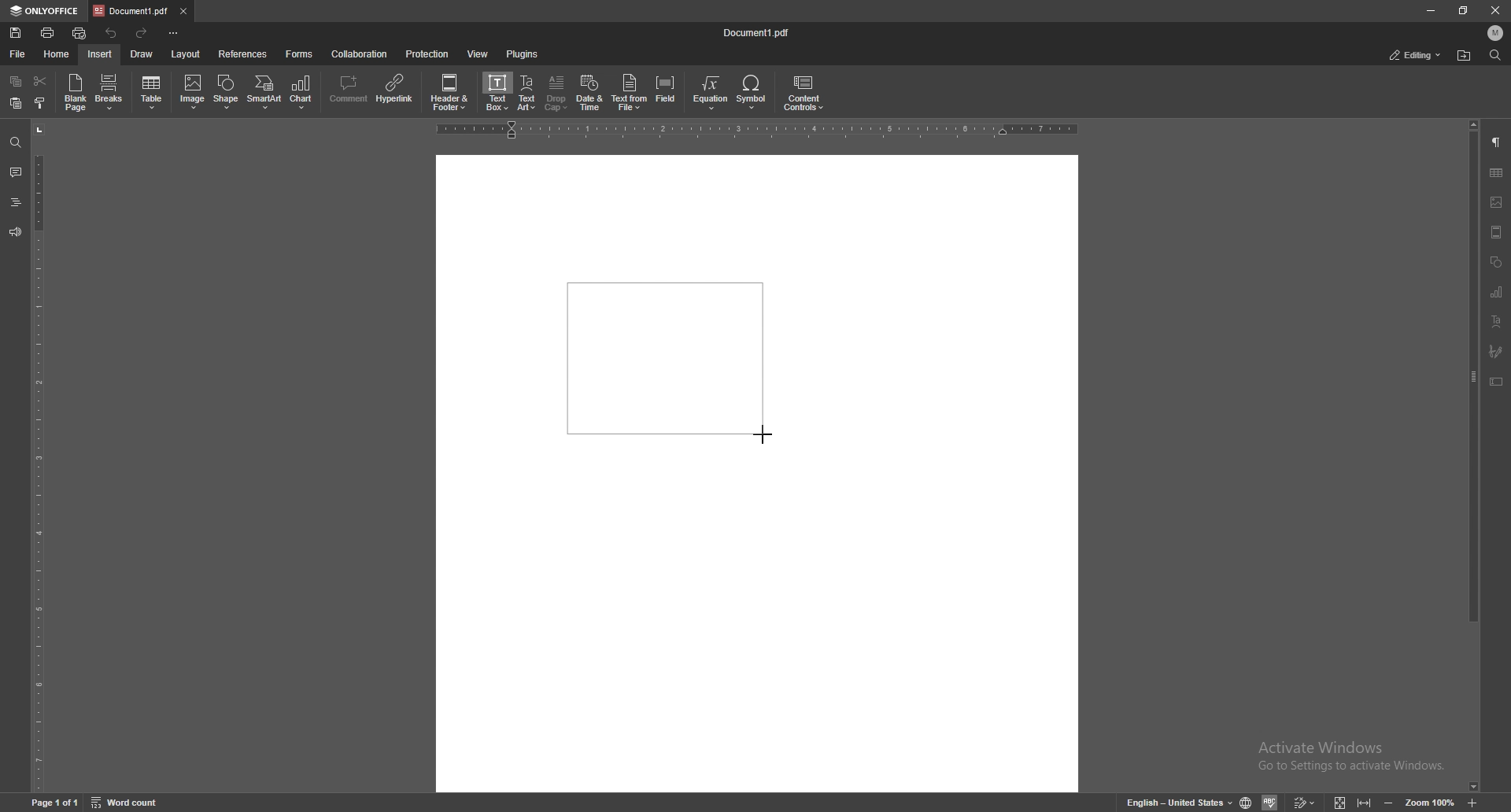 This screenshot has height=812, width=1511. Describe the element at coordinates (15, 231) in the screenshot. I see `feedback` at that location.